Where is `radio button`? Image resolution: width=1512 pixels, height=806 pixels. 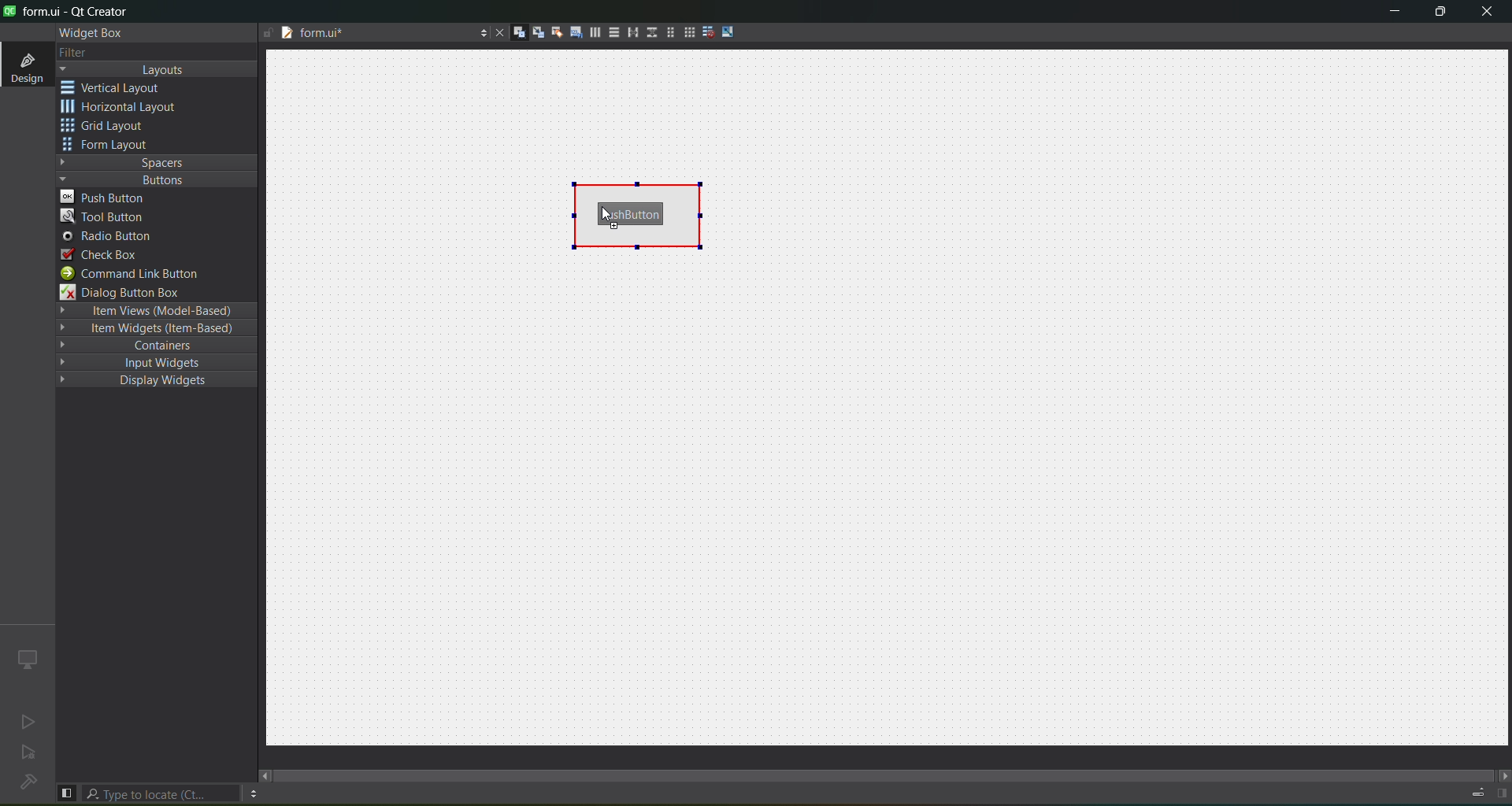
radio button is located at coordinates (107, 238).